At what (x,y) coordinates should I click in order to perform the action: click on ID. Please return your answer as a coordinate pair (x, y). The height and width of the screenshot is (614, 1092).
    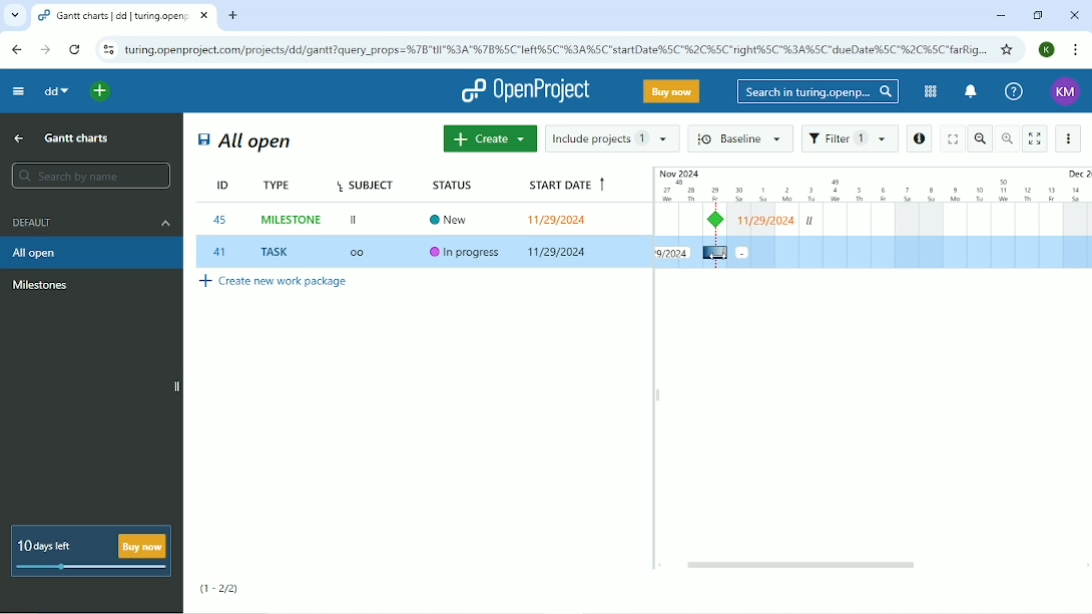
    Looking at the image, I should click on (212, 187).